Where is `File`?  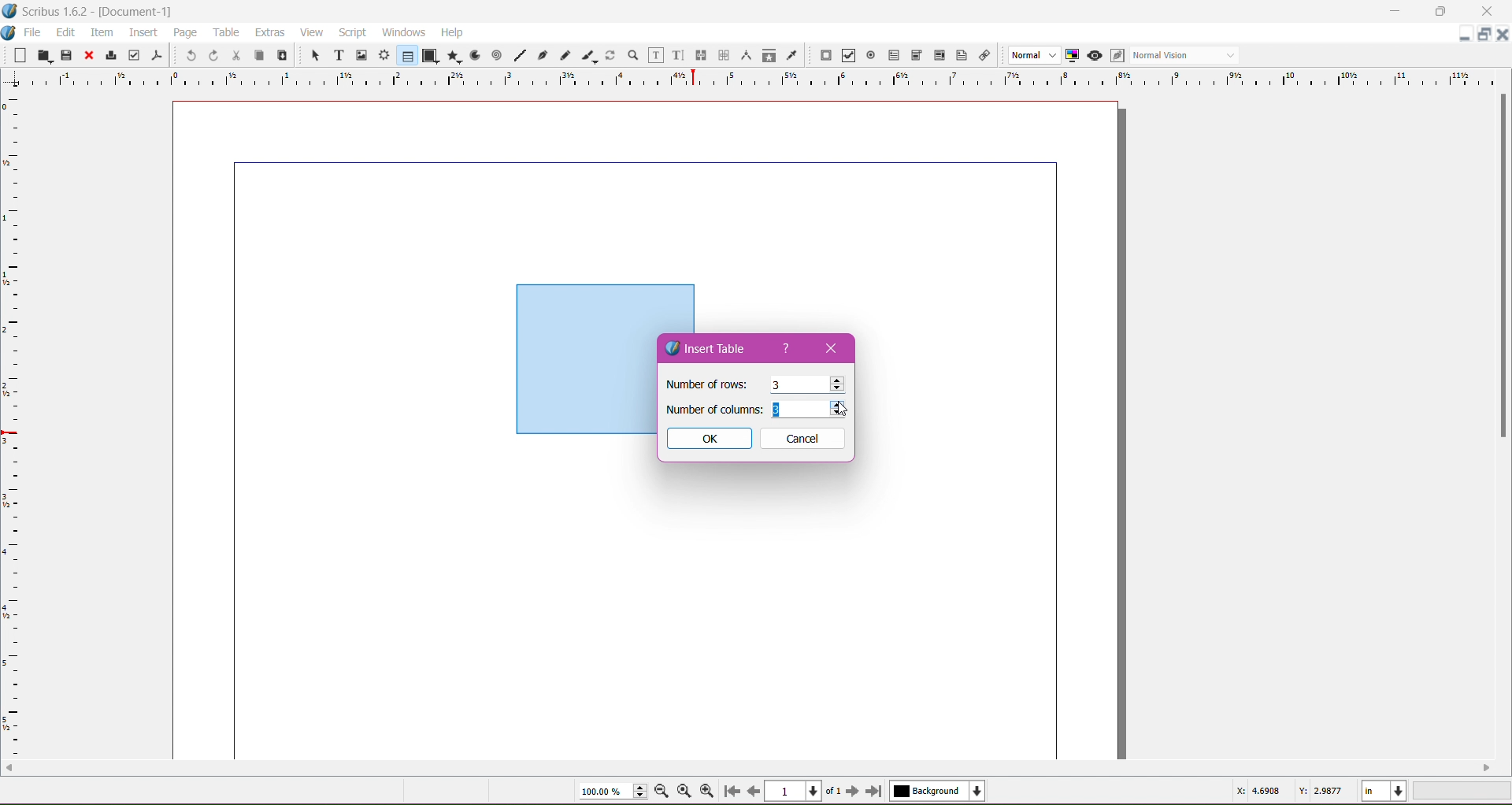
File is located at coordinates (32, 32).